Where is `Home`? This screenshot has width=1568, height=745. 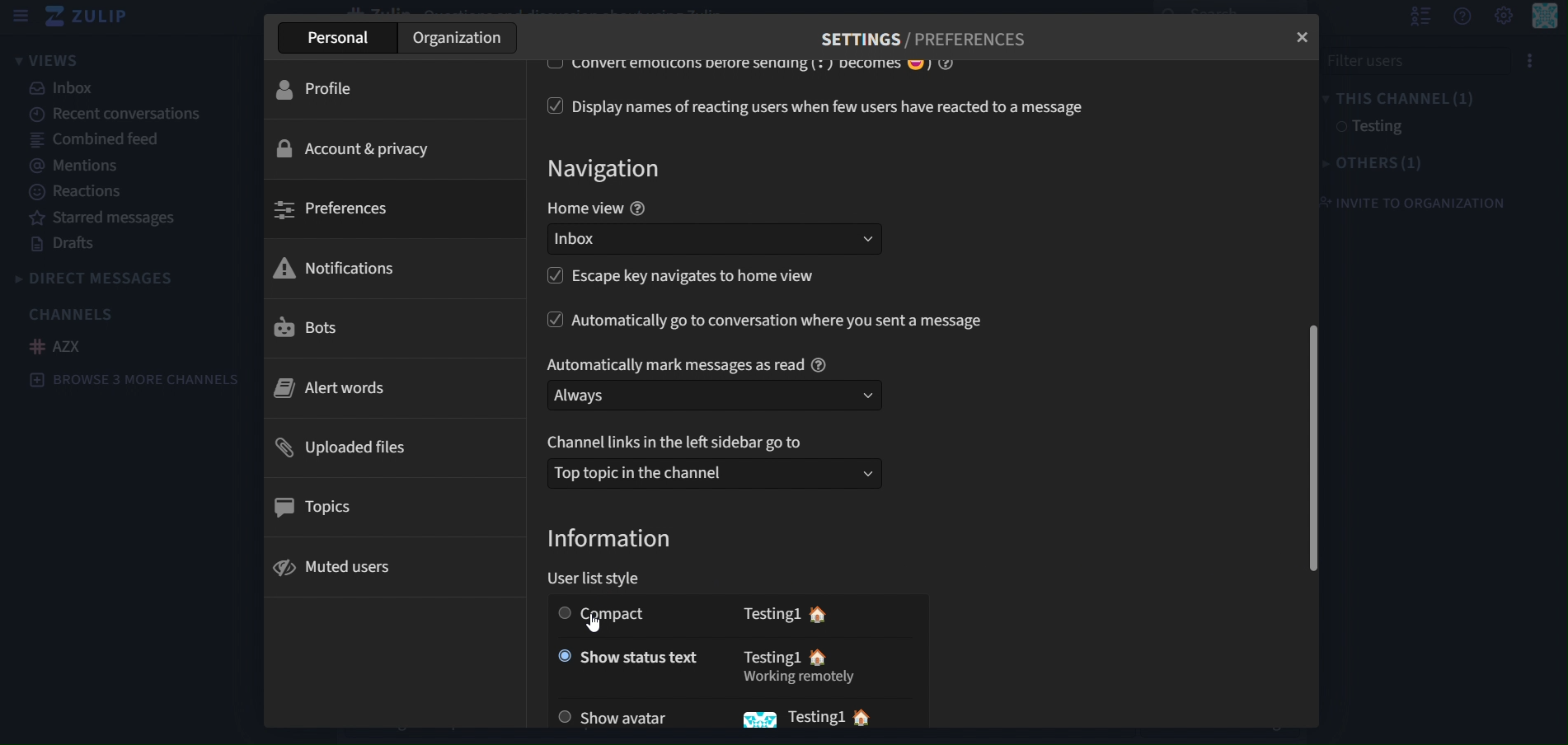
Home is located at coordinates (819, 659).